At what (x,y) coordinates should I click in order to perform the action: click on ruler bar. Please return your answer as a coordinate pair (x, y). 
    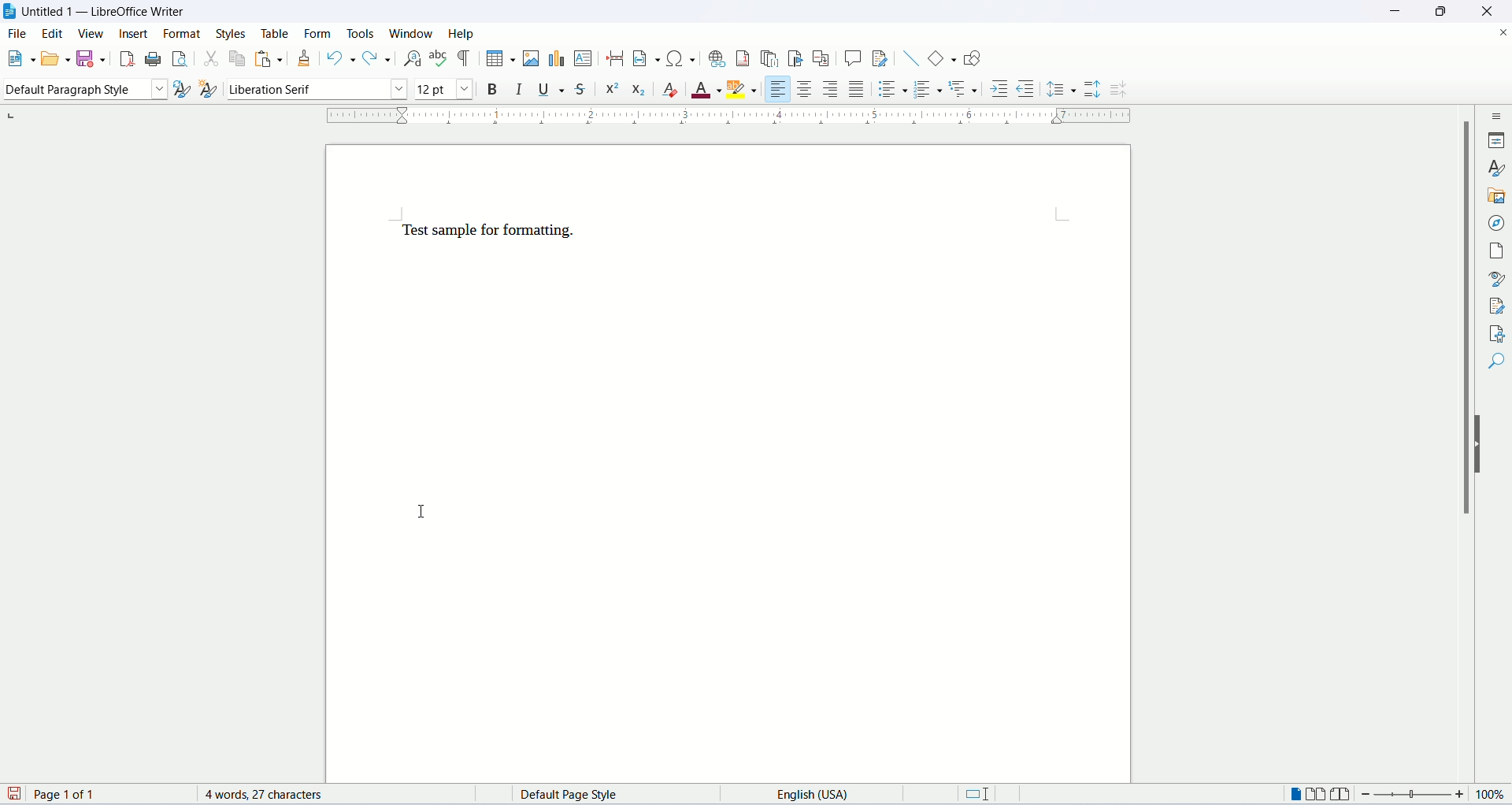
    Looking at the image, I should click on (732, 119).